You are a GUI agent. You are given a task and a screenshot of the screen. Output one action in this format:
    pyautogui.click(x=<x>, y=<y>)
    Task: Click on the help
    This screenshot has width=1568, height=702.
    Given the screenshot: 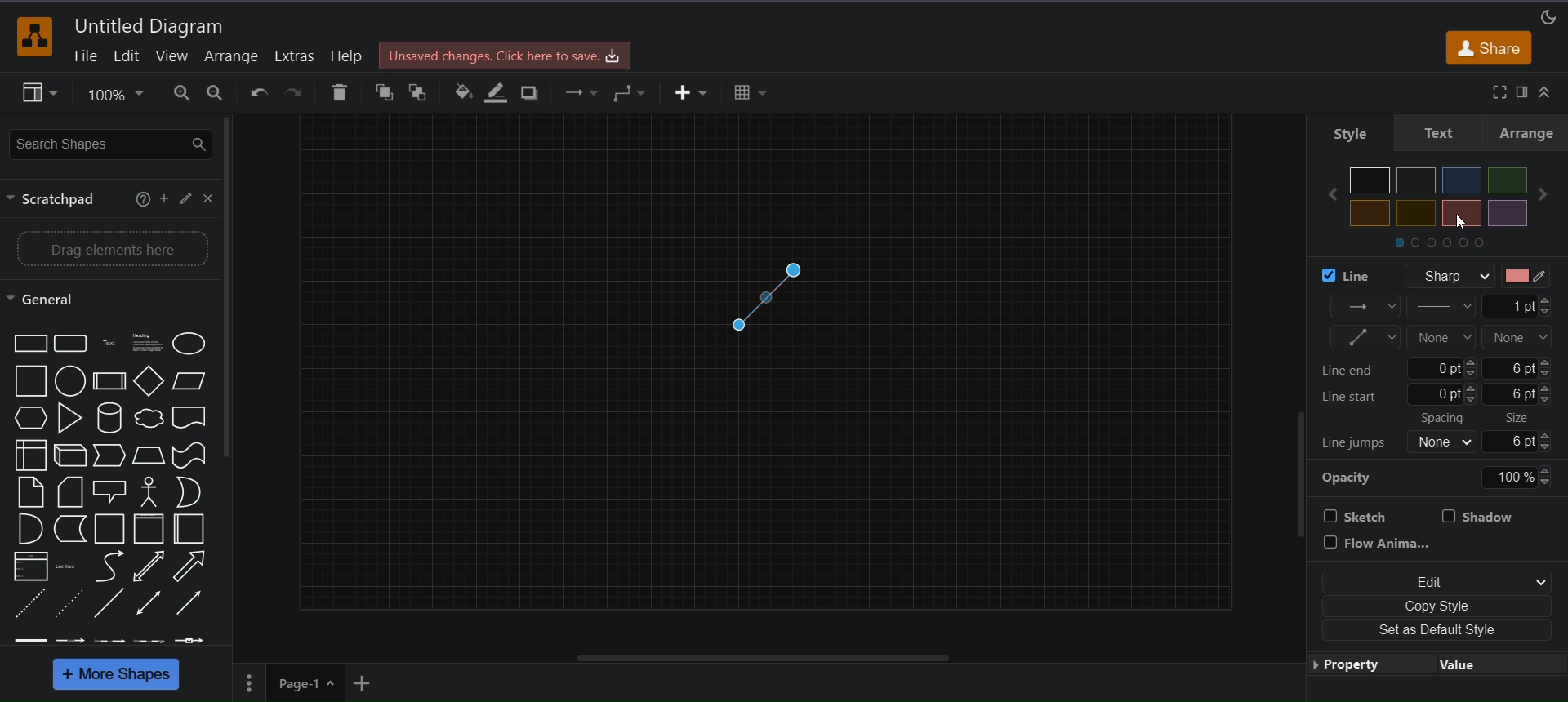 What is the action you would take?
    pyautogui.click(x=139, y=200)
    